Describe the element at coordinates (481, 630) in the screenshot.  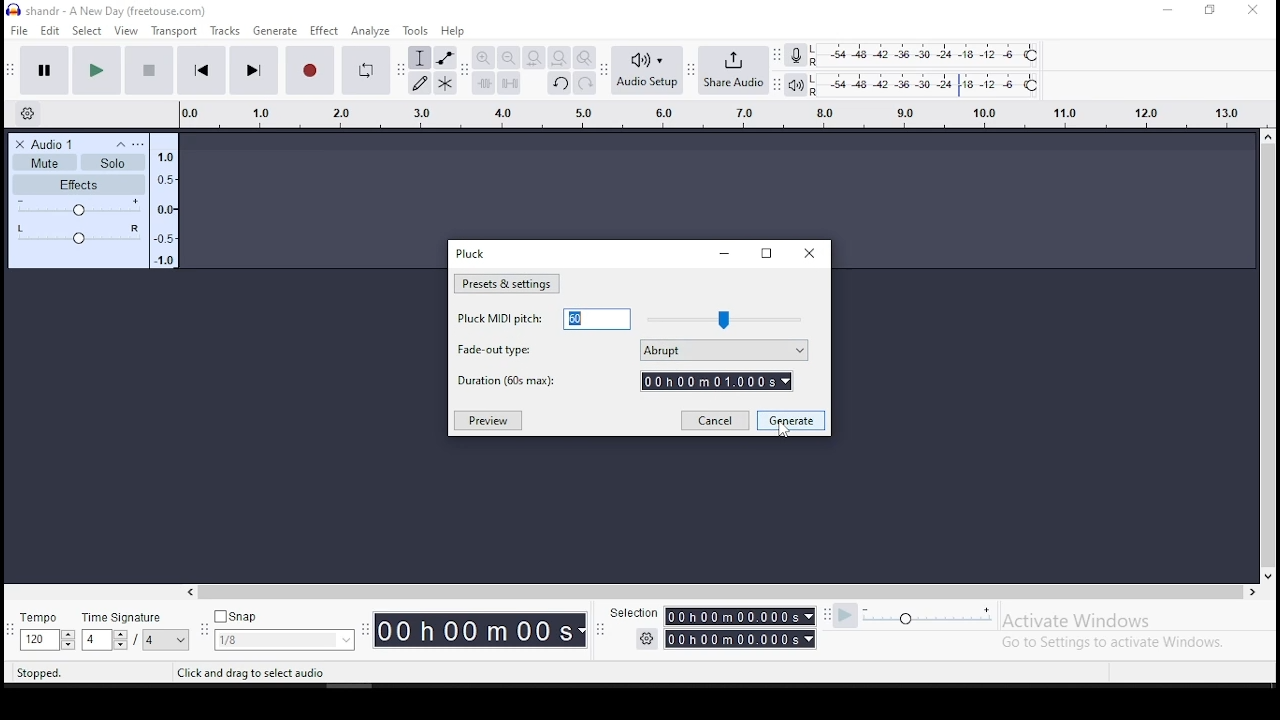
I see `00 h 00m 00 Ss` at that location.